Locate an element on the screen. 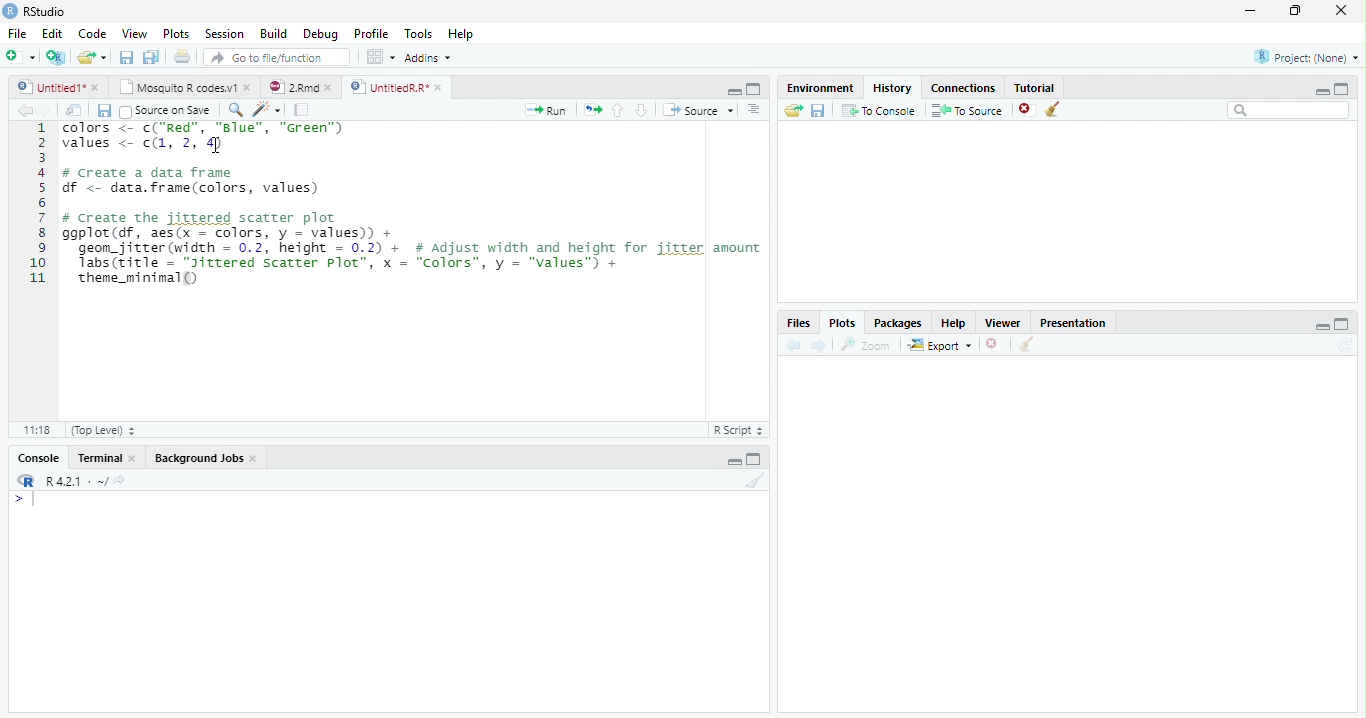 The width and height of the screenshot is (1366, 718). Save current document is located at coordinates (105, 111).